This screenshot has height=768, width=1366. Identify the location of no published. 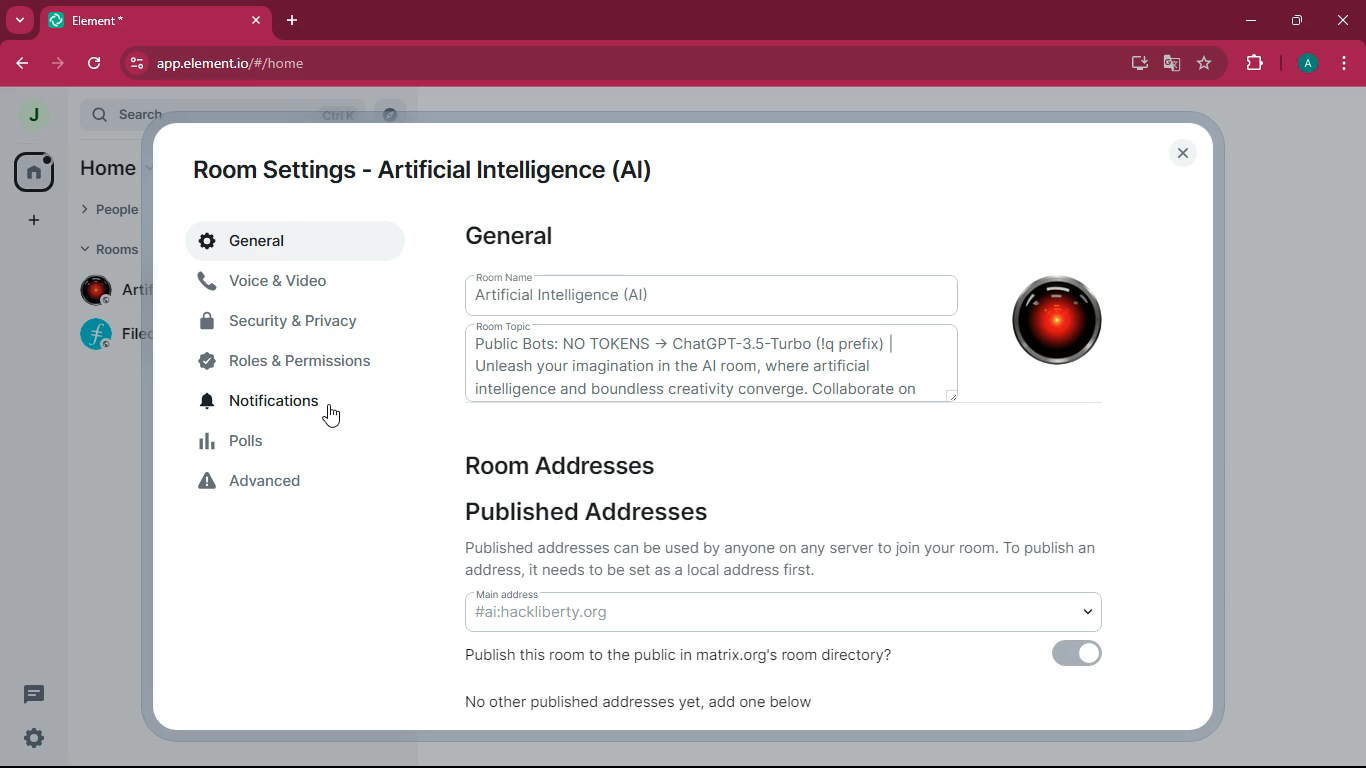
(652, 709).